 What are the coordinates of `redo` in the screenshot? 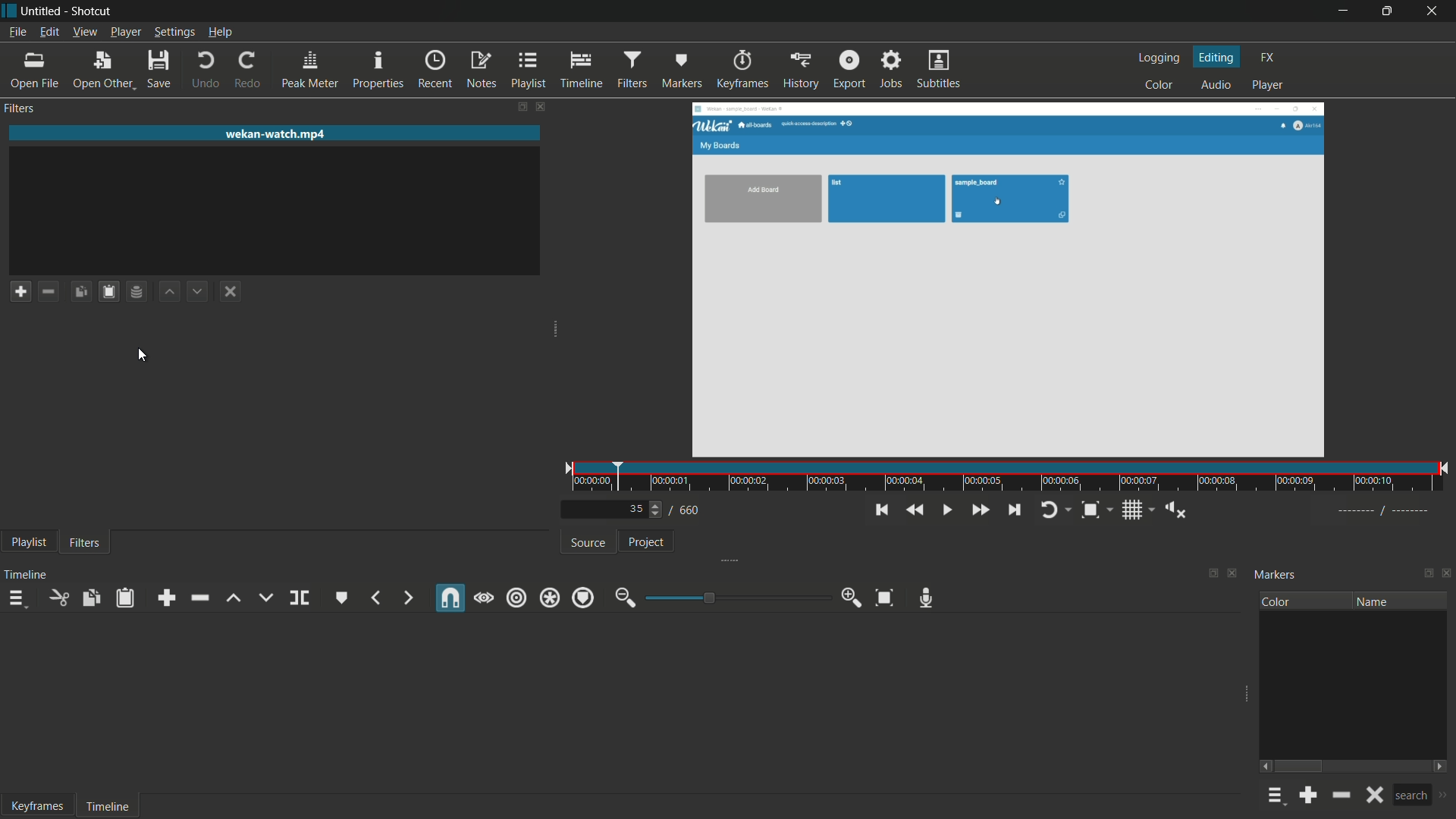 It's located at (248, 71).